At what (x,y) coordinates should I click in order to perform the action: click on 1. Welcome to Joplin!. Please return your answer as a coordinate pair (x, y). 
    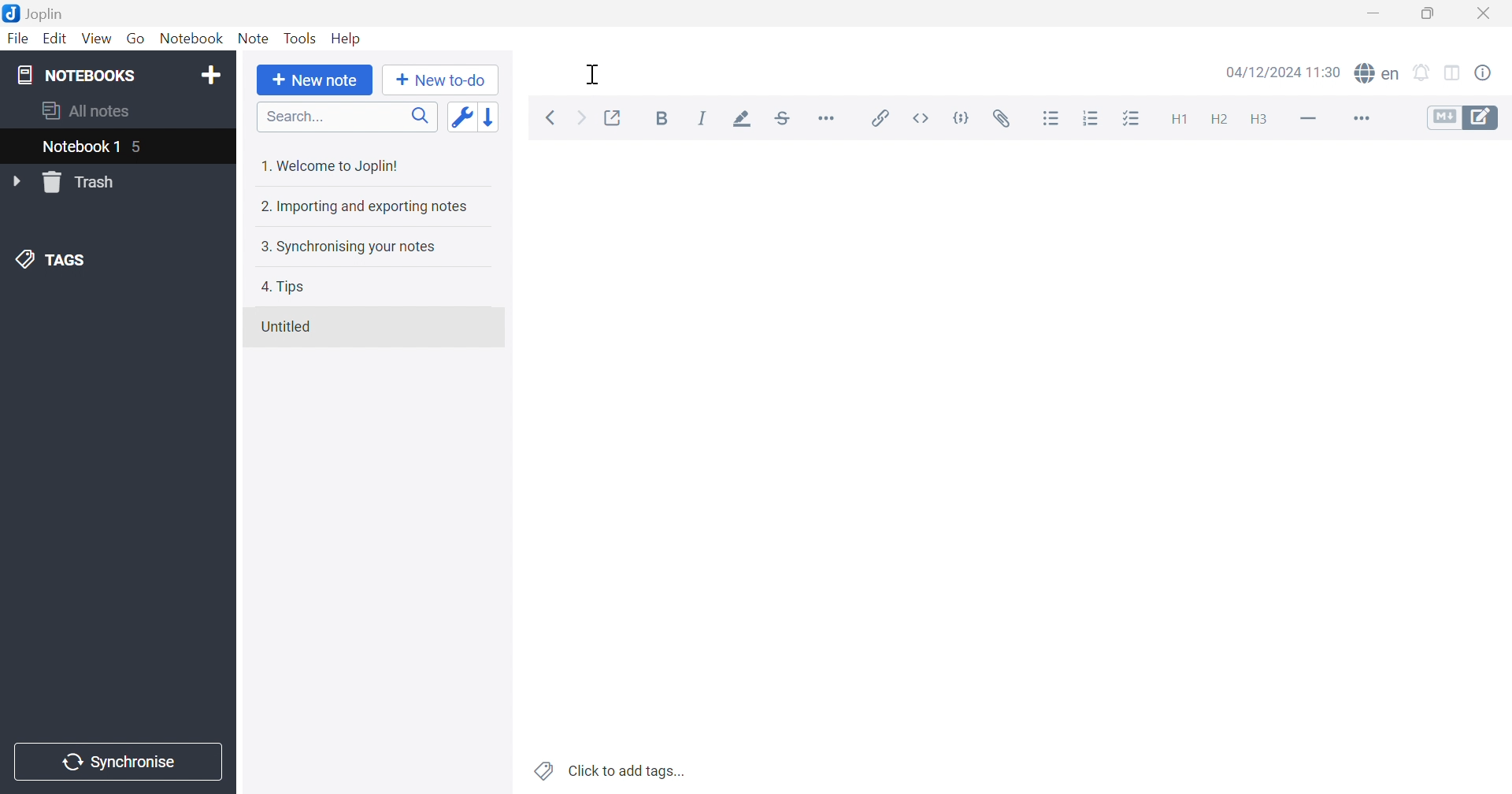
    Looking at the image, I should click on (335, 165).